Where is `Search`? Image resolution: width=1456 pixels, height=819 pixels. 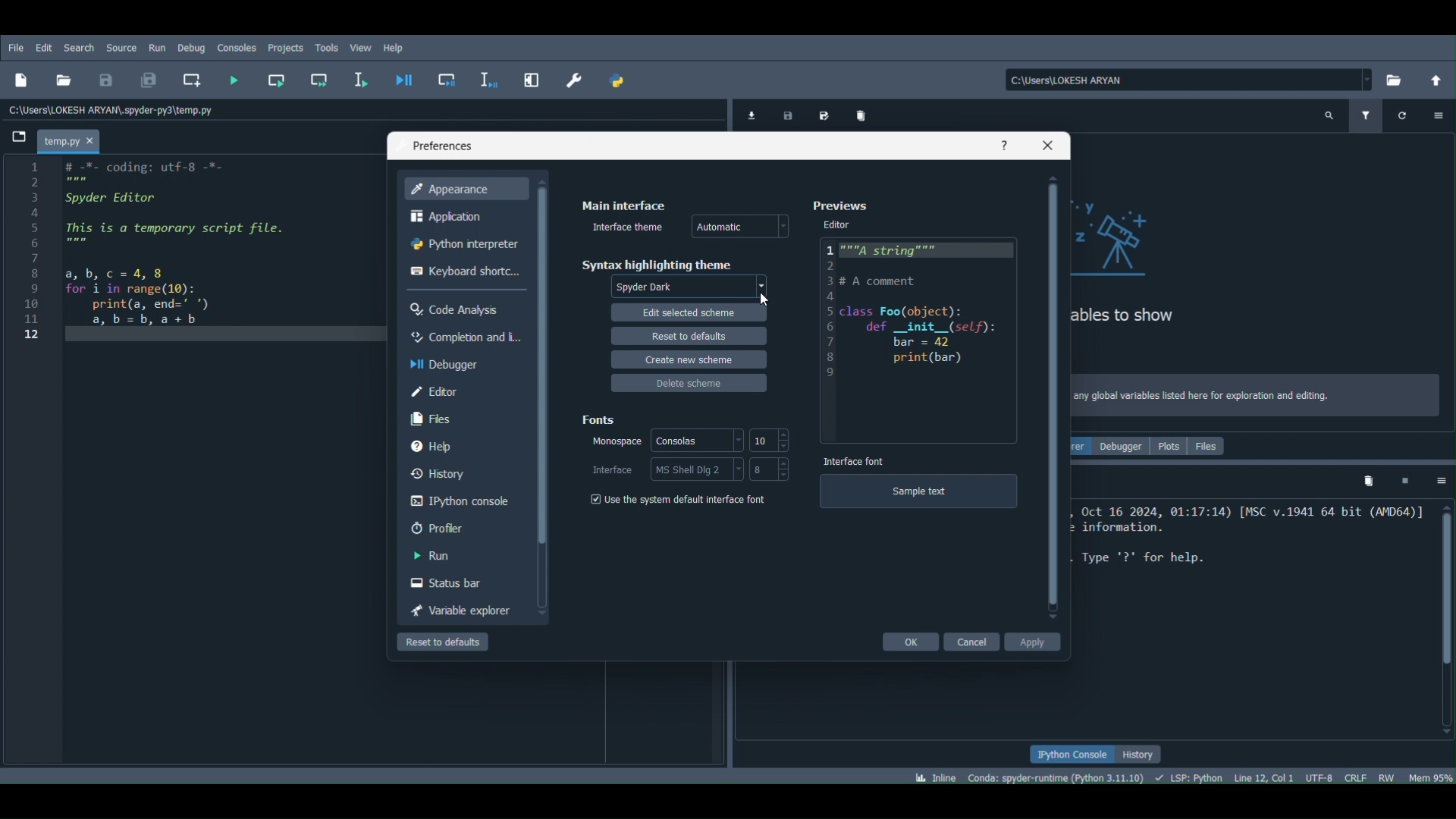 Search is located at coordinates (78, 44).